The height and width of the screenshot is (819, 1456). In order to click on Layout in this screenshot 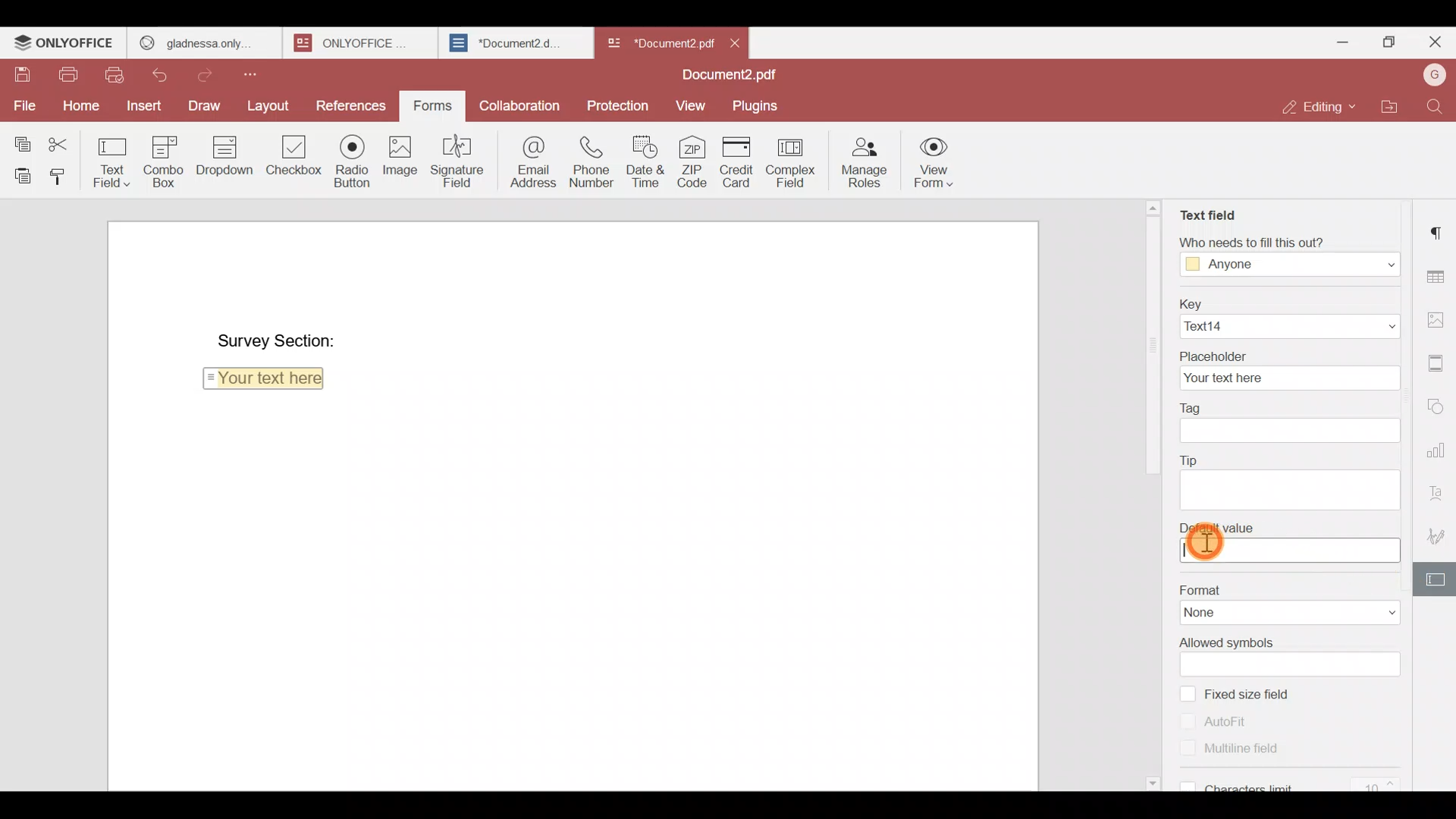, I will do `click(269, 102)`.